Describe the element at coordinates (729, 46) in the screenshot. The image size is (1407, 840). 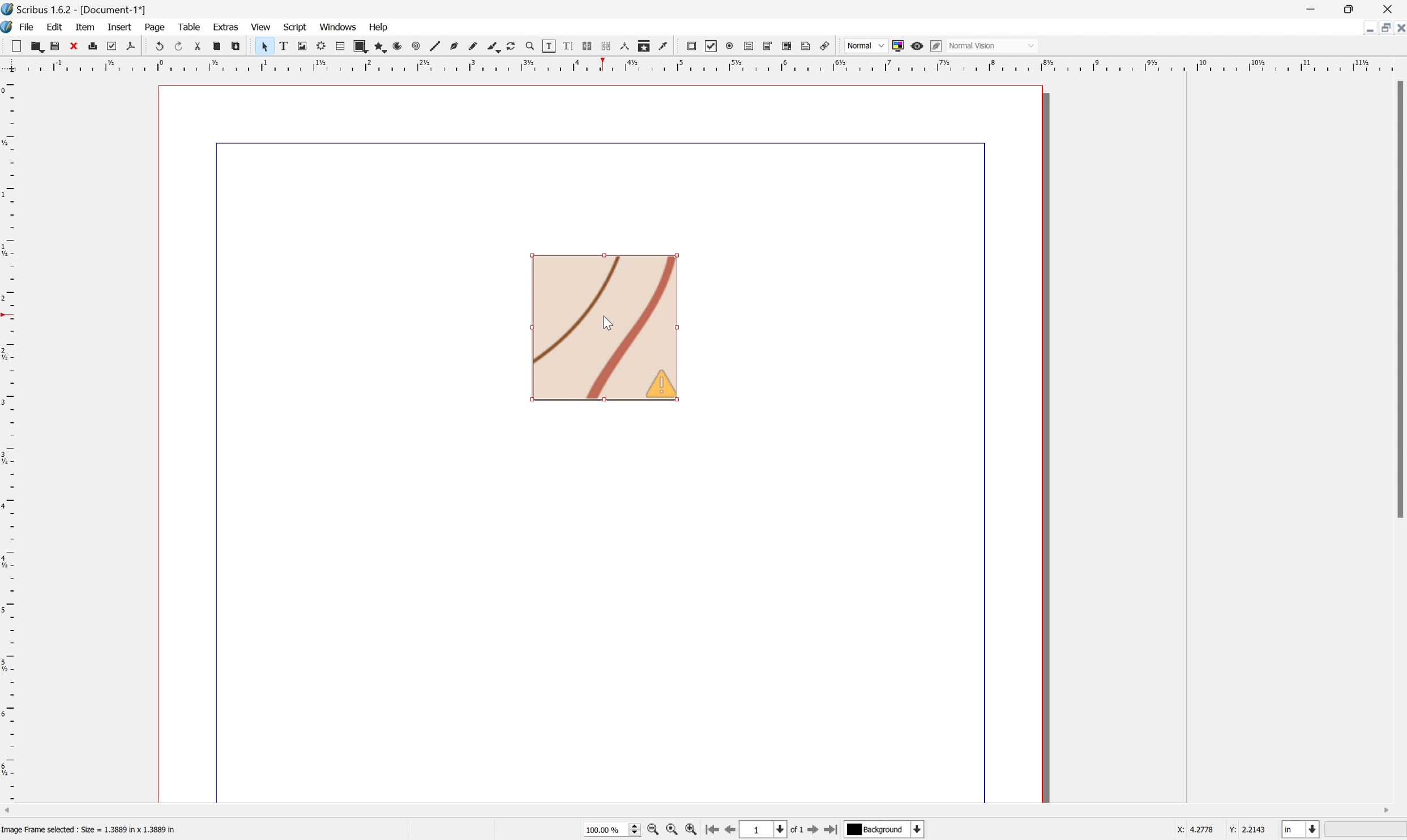
I see `PDF radio button` at that location.